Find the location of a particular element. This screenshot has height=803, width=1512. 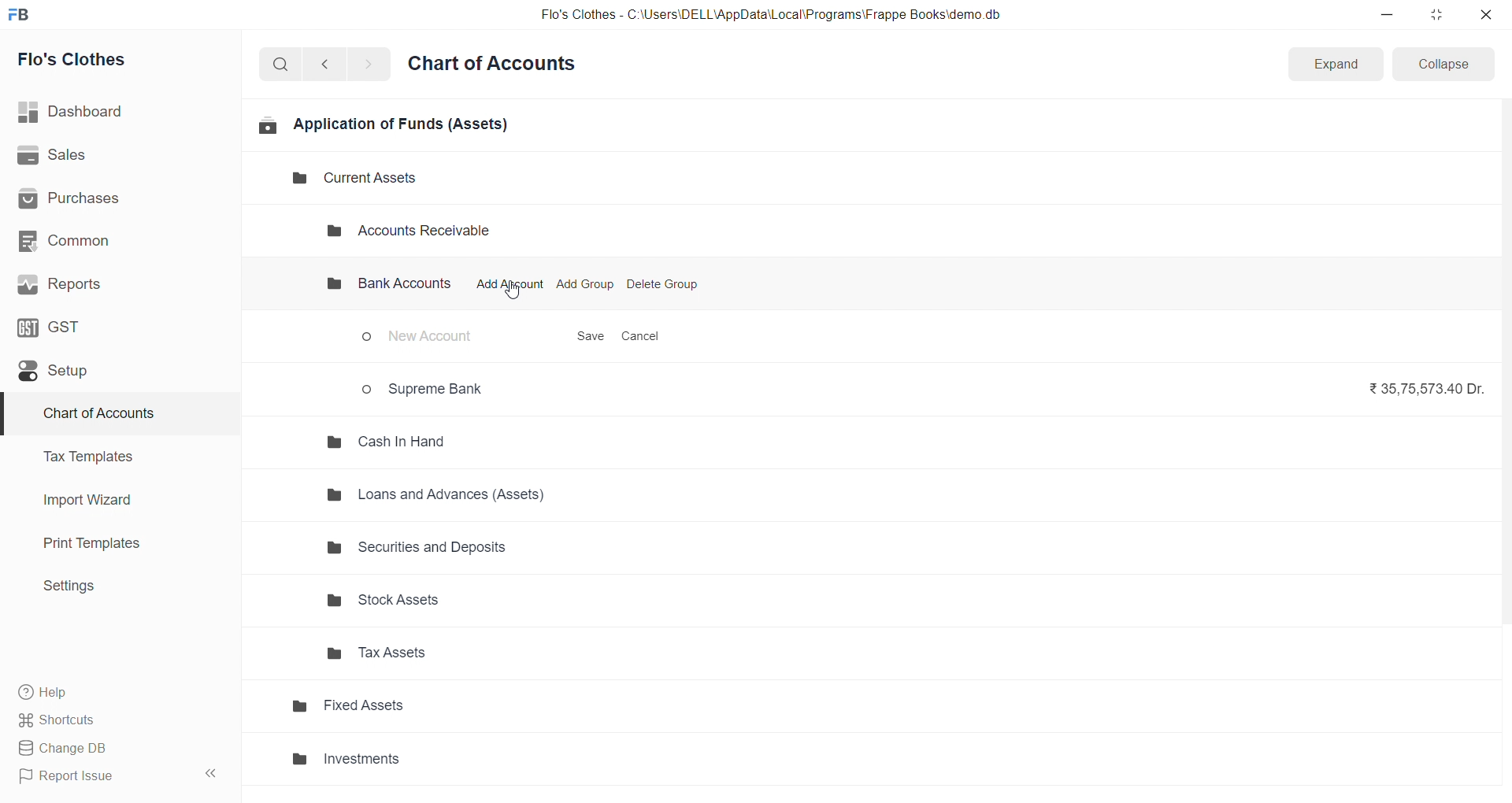

Collapse sidebar is located at coordinates (213, 776).